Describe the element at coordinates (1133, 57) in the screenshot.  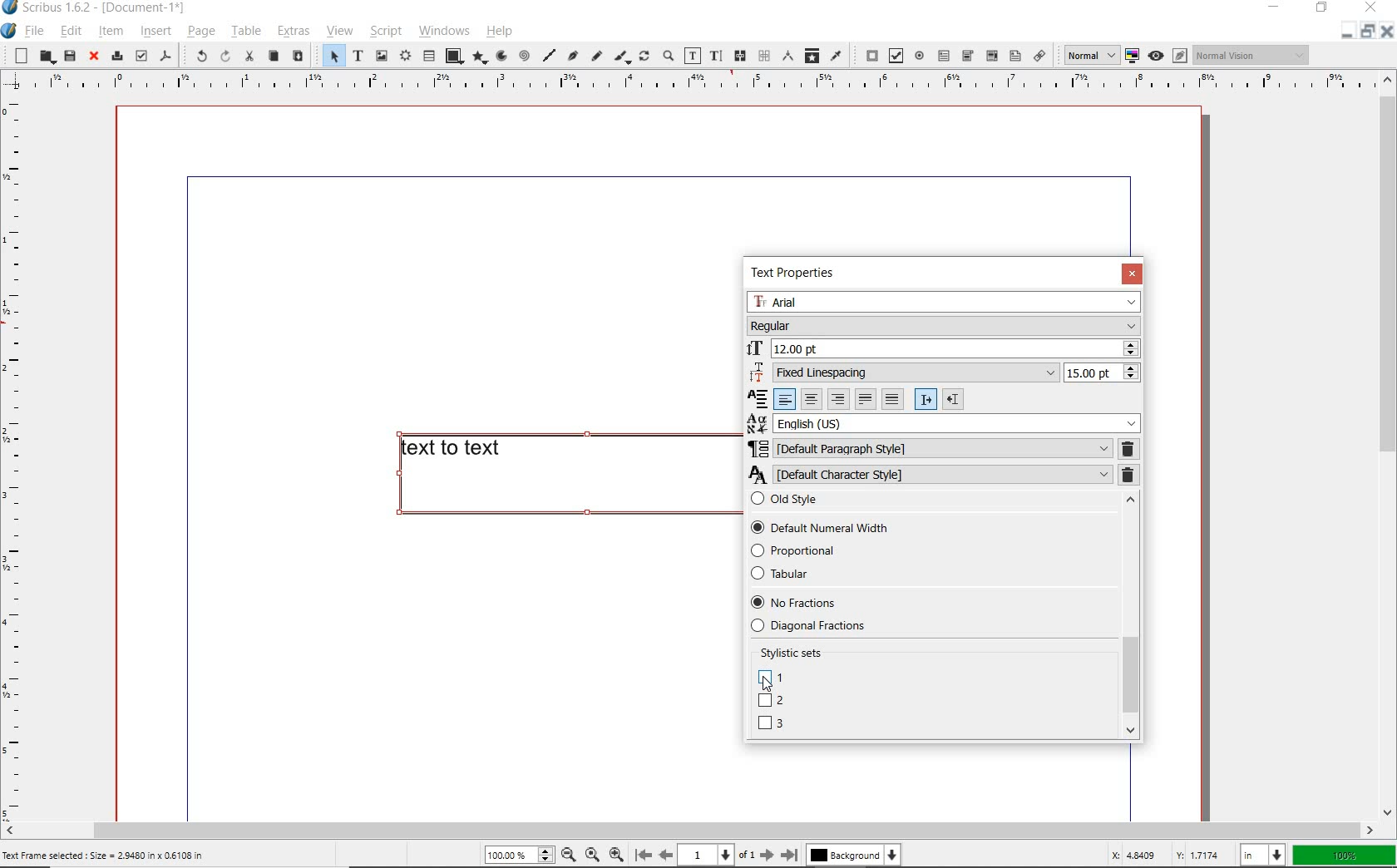
I see `toggle color` at that location.